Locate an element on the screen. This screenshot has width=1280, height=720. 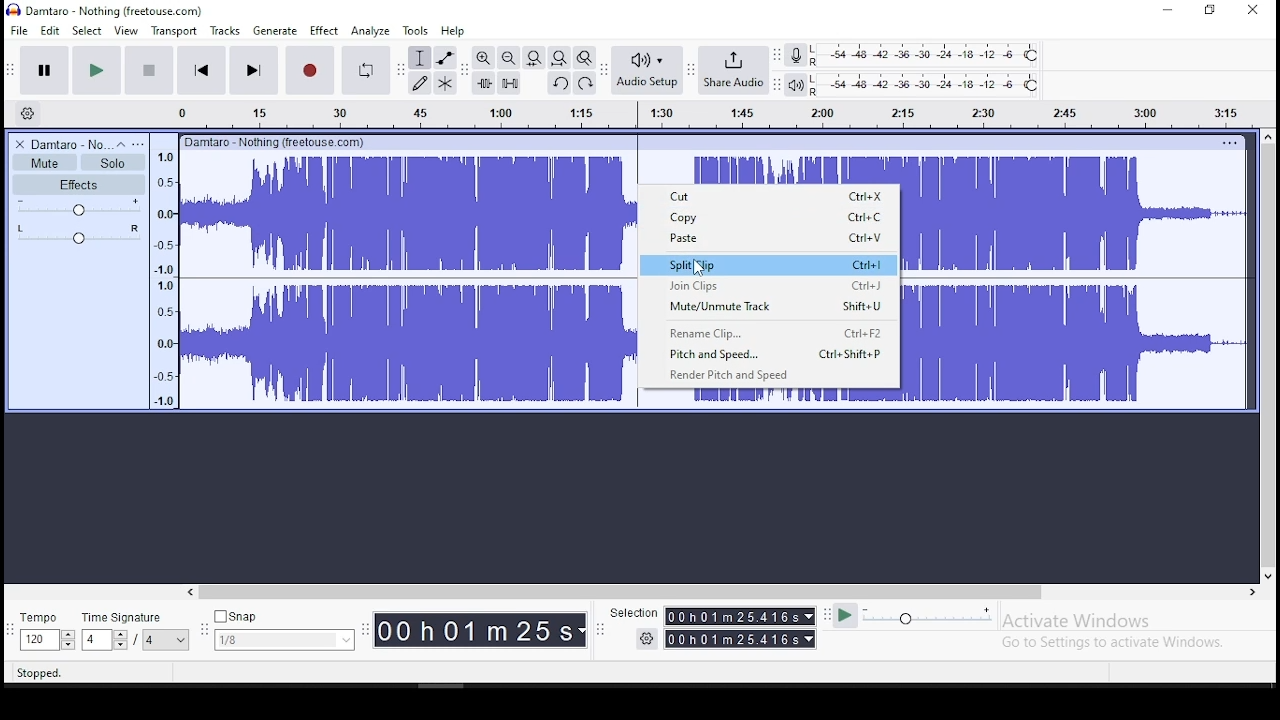
playback level is located at coordinates (927, 85).